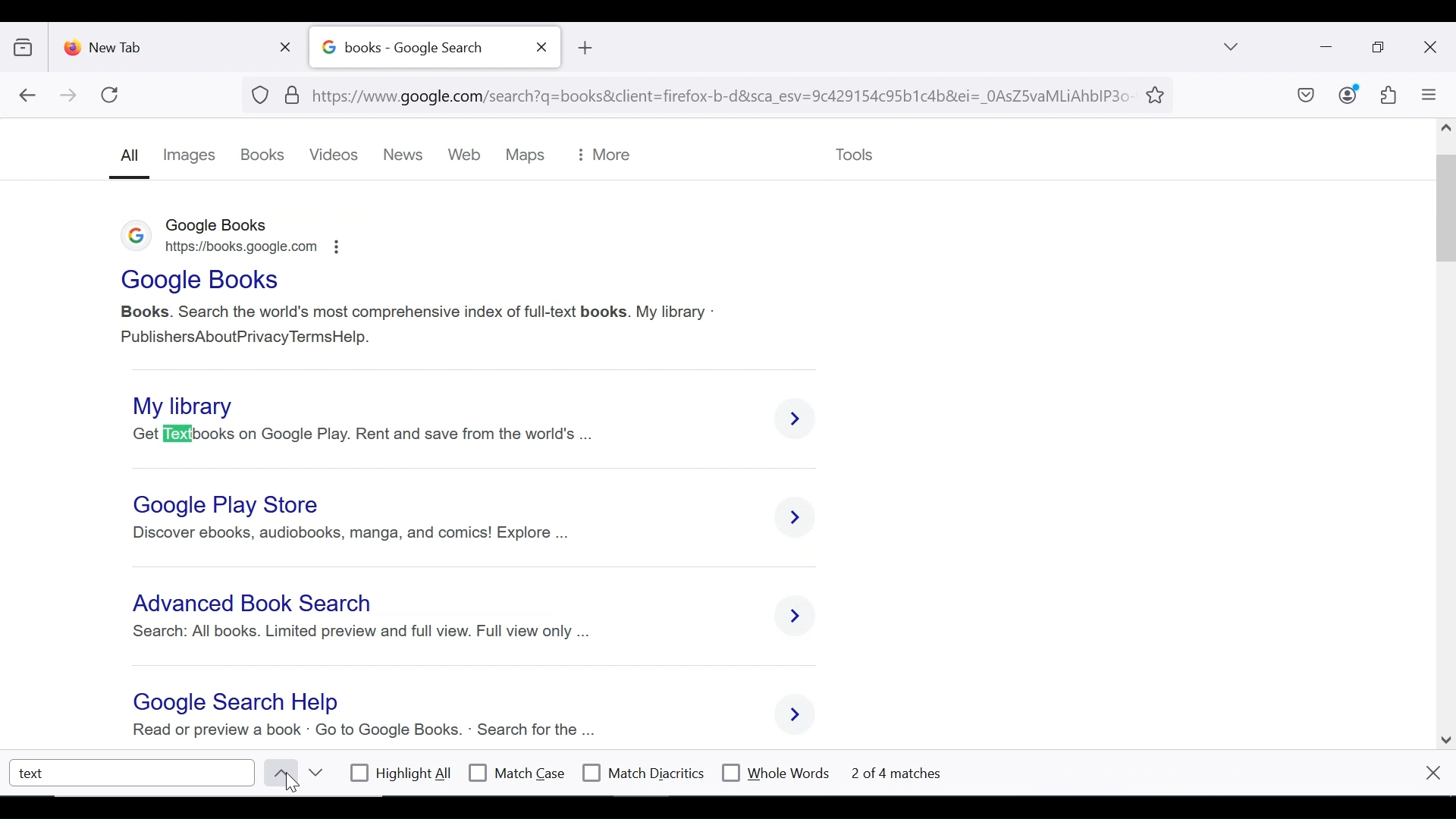 Image resolution: width=1456 pixels, height=819 pixels. I want to click on refresh, so click(111, 95).